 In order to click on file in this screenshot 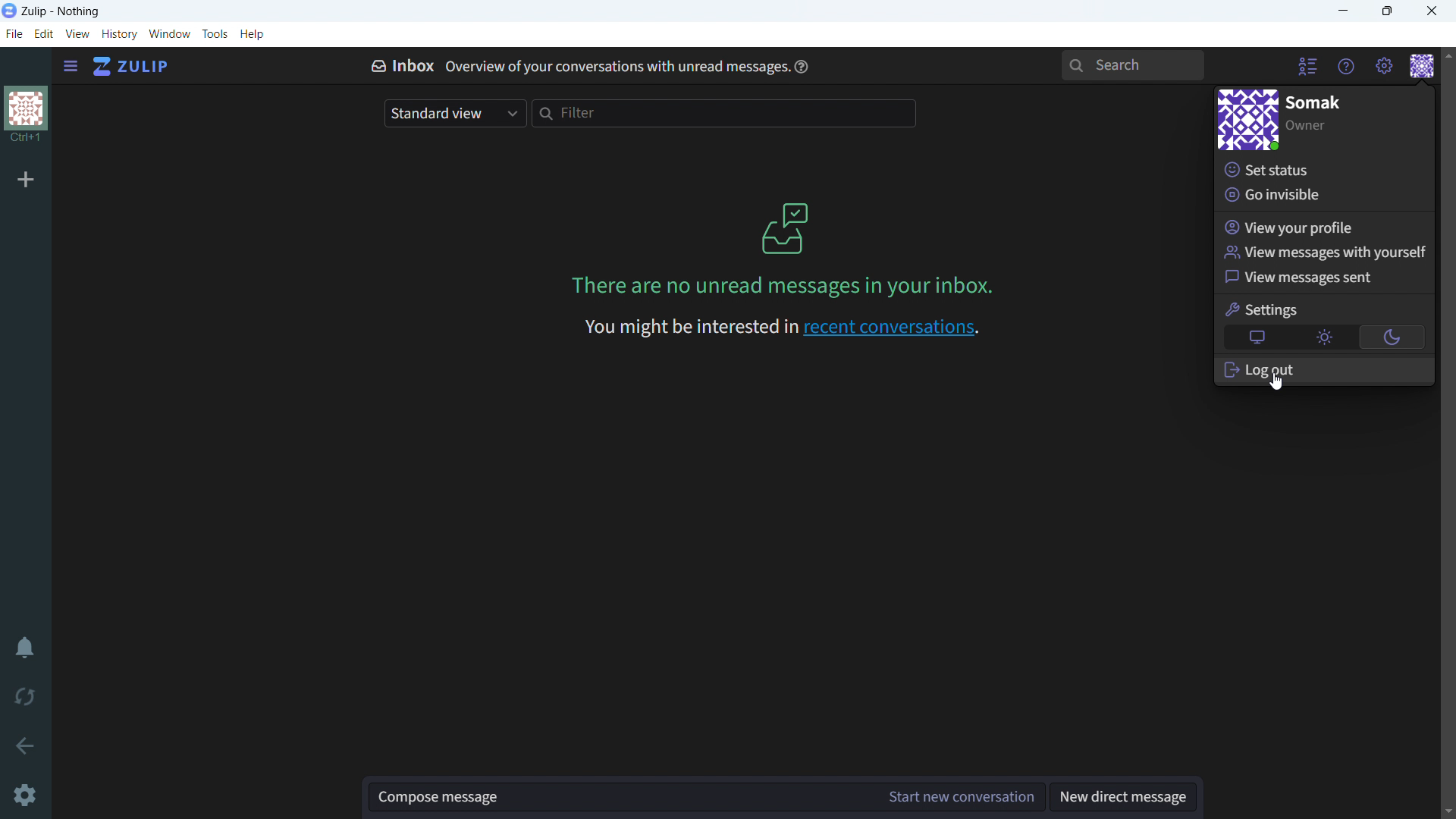, I will do `click(13, 33)`.